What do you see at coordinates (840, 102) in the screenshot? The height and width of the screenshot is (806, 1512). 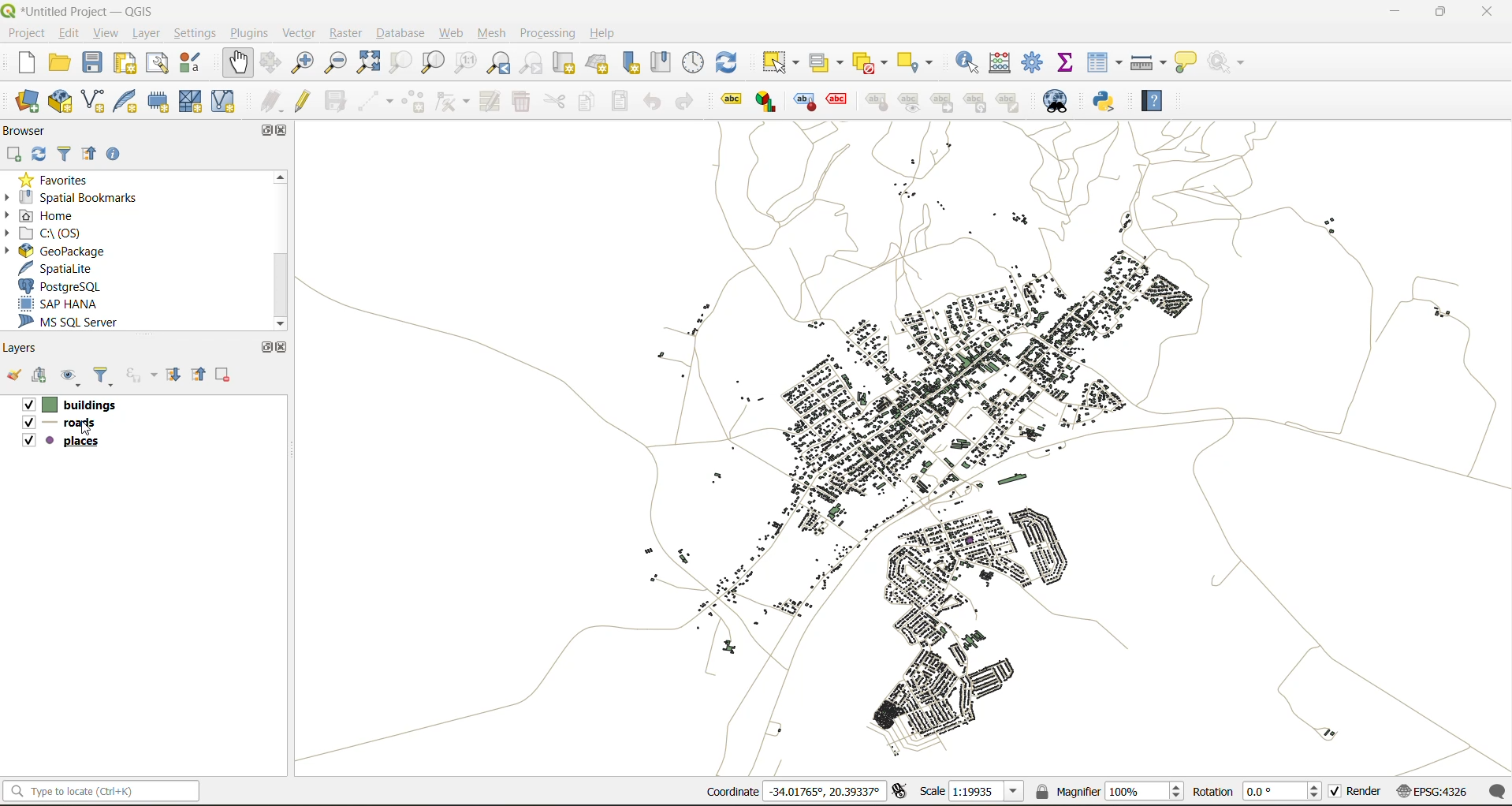 I see `toggle display of unplaced labels` at bounding box center [840, 102].